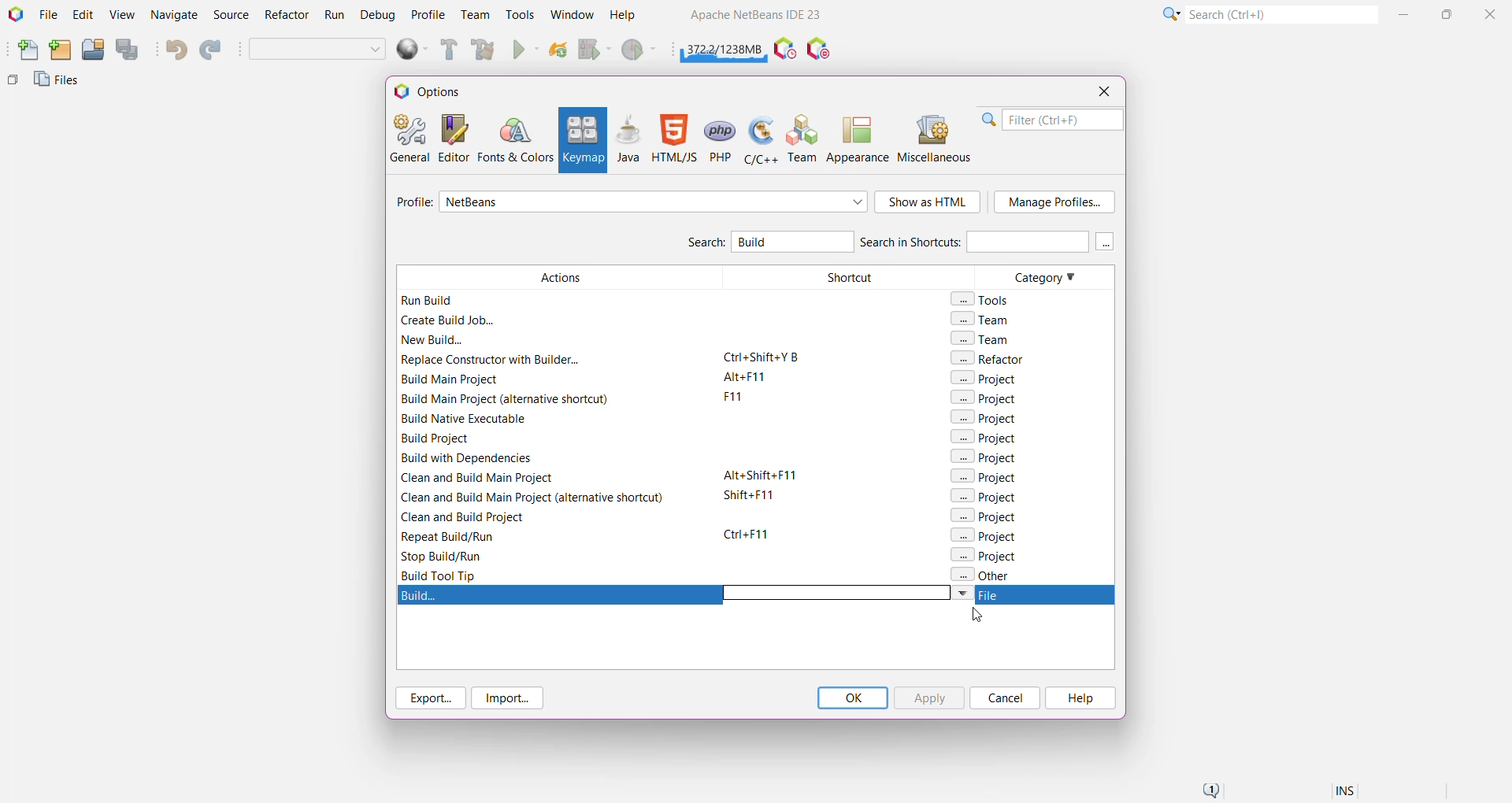 Image resolution: width=1512 pixels, height=803 pixels. I want to click on Import, so click(510, 698).